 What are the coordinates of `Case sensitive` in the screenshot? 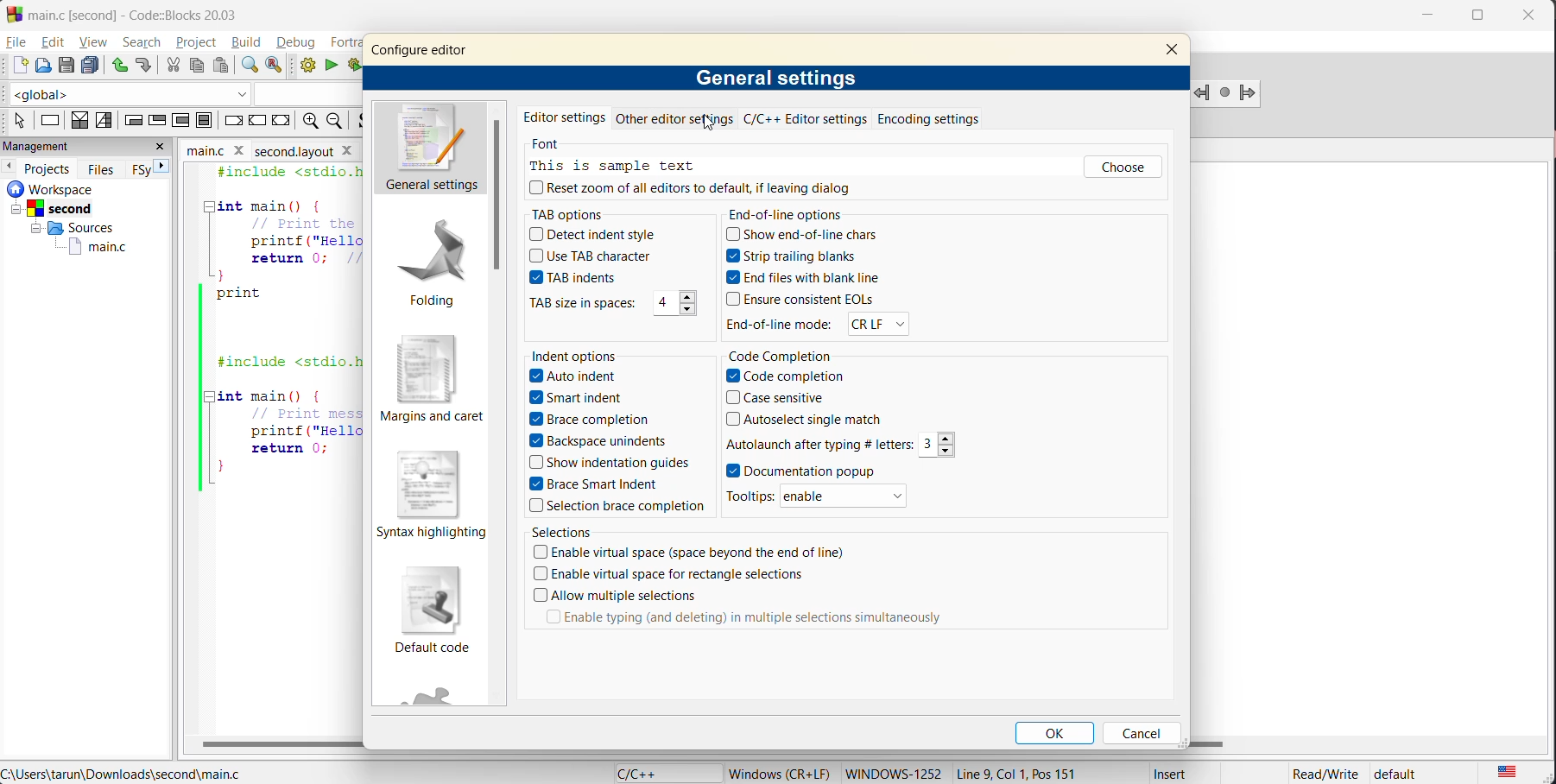 It's located at (772, 396).